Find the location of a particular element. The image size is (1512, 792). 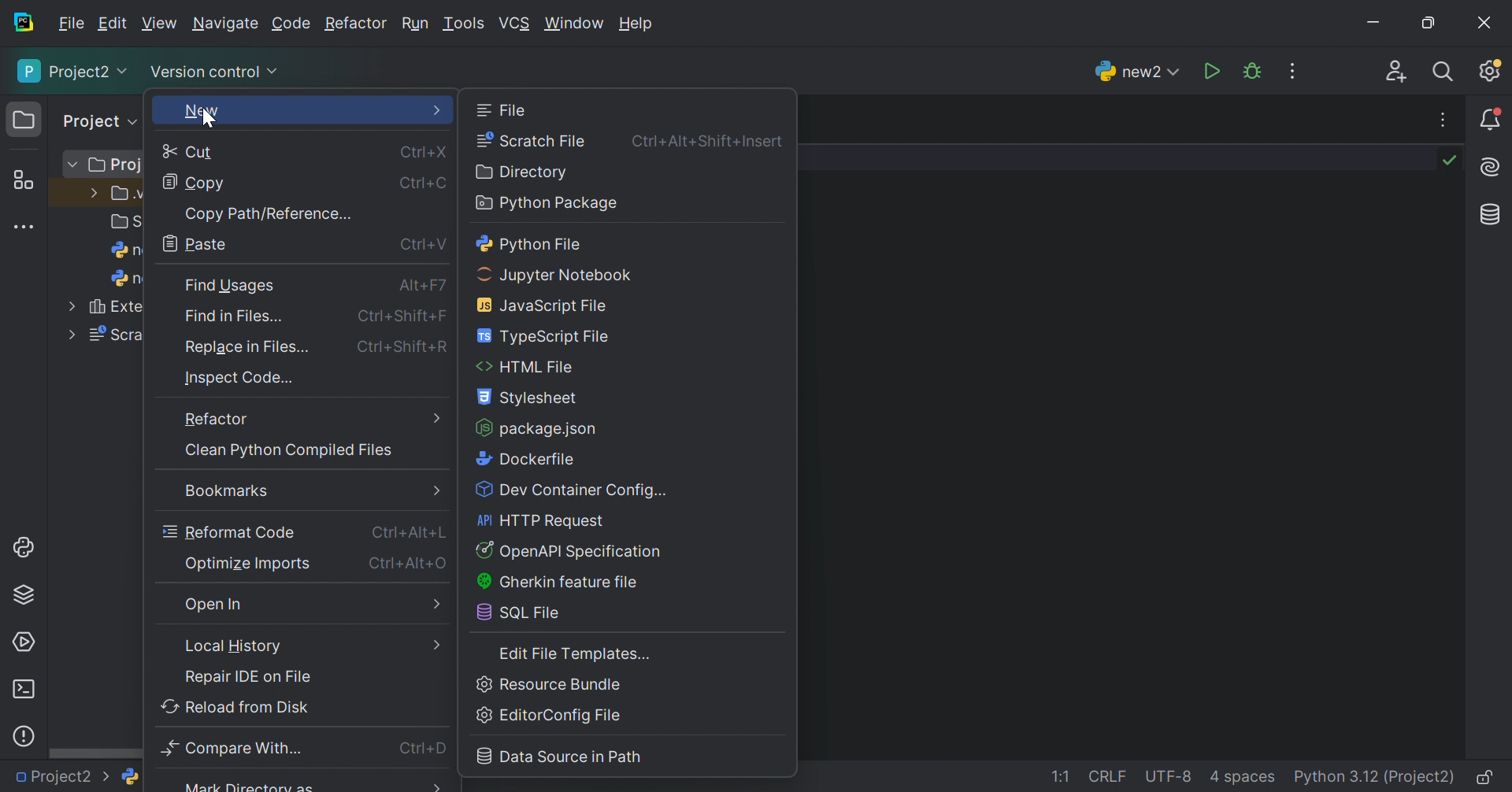

More actions is located at coordinates (1291, 72).